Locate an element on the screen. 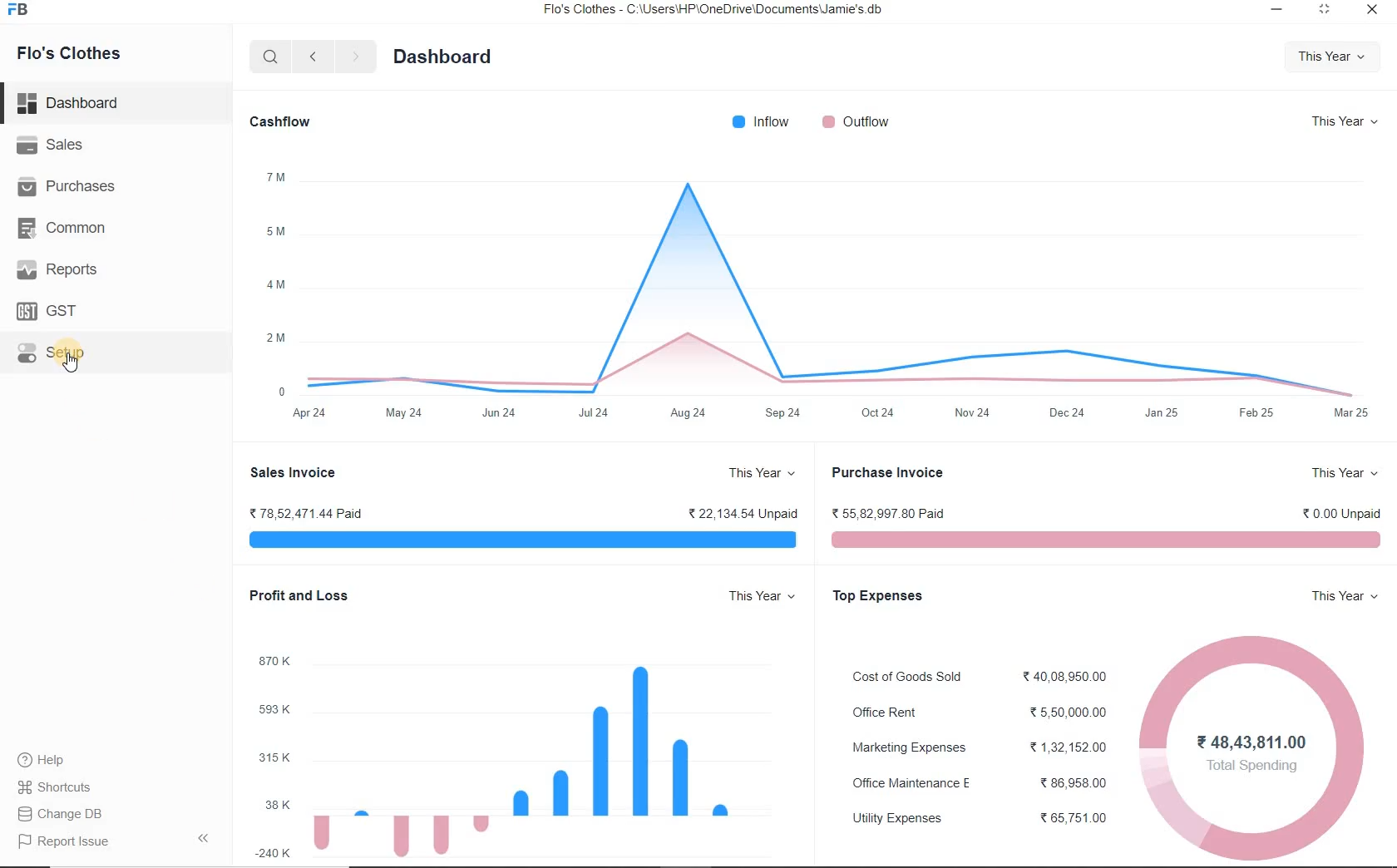  dashboard is located at coordinates (70, 103).